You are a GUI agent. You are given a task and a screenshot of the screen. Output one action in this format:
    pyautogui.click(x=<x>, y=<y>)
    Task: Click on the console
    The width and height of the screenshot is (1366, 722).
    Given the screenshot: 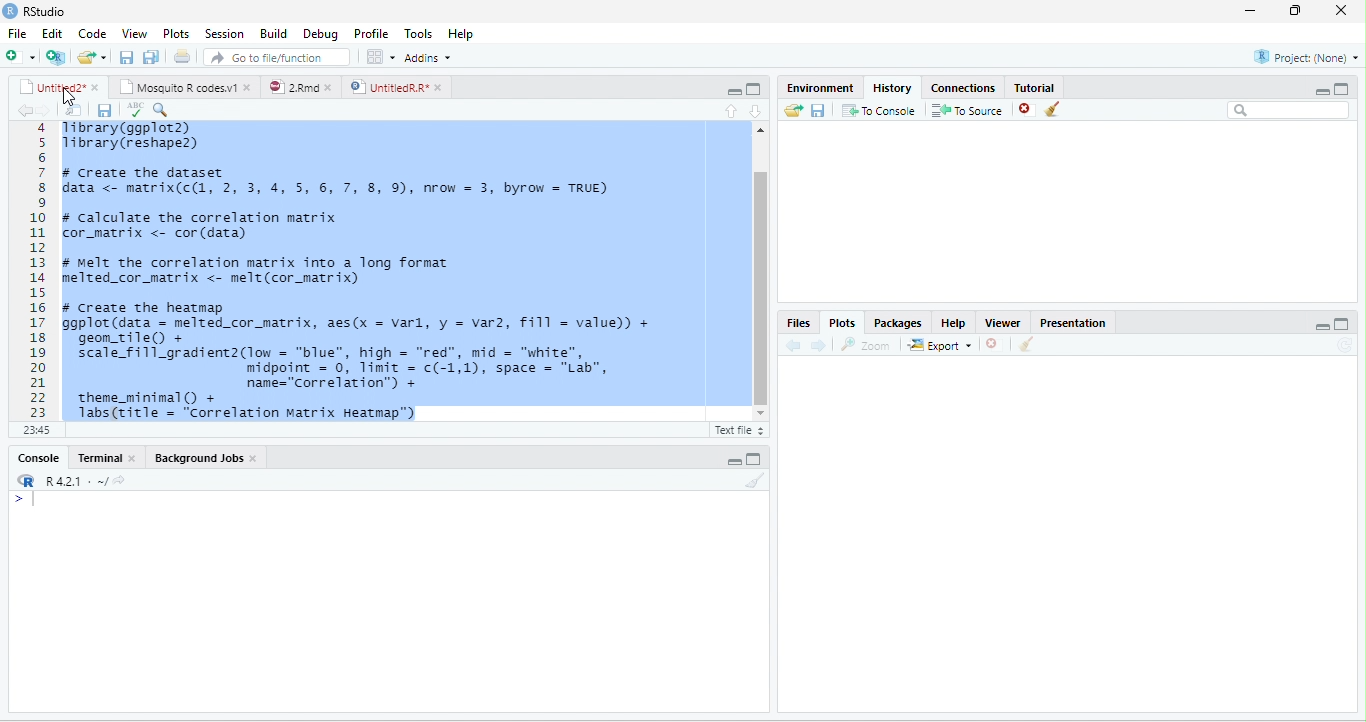 What is the action you would take?
    pyautogui.click(x=33, y=458)
    